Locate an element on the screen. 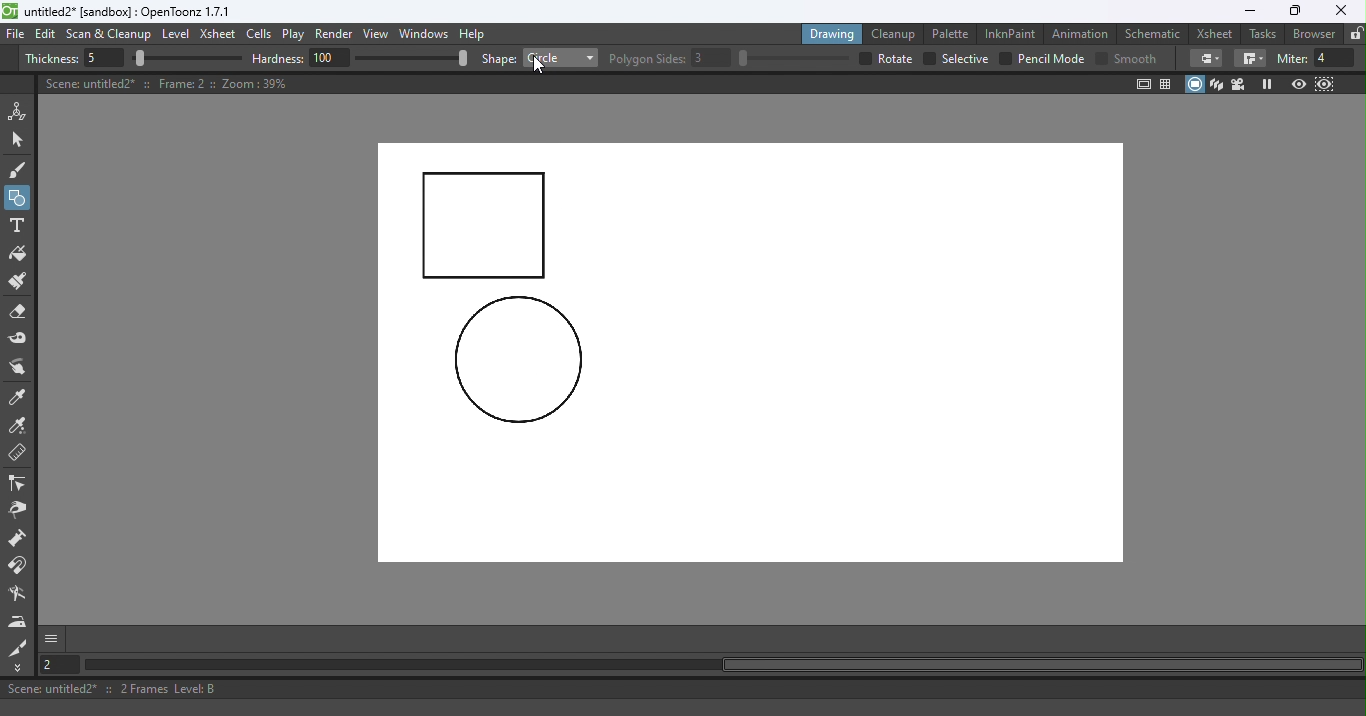  Eraser tool is located at coordinates (23, 312).